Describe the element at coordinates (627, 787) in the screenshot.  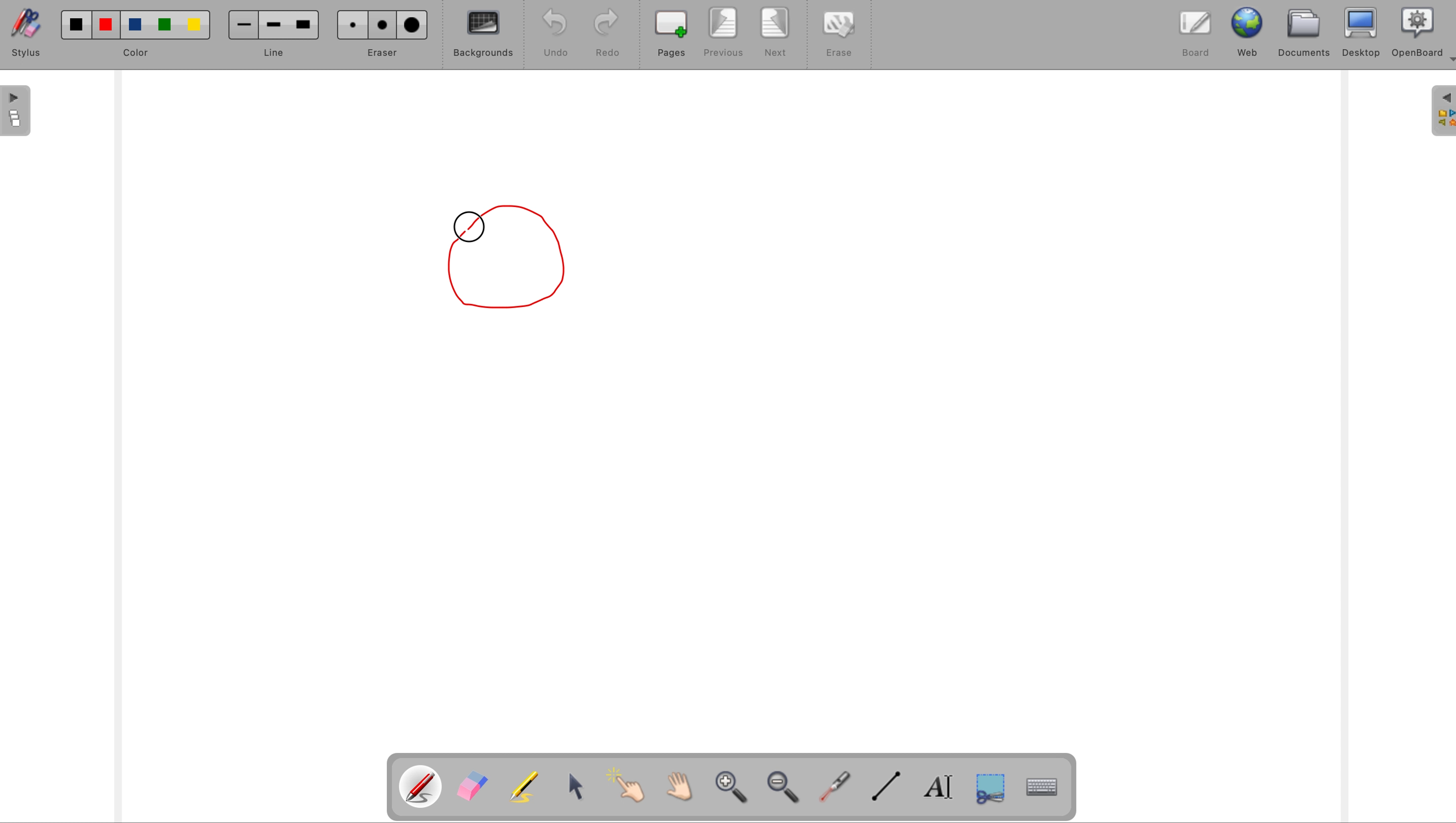
I see `interact with items` at that location.